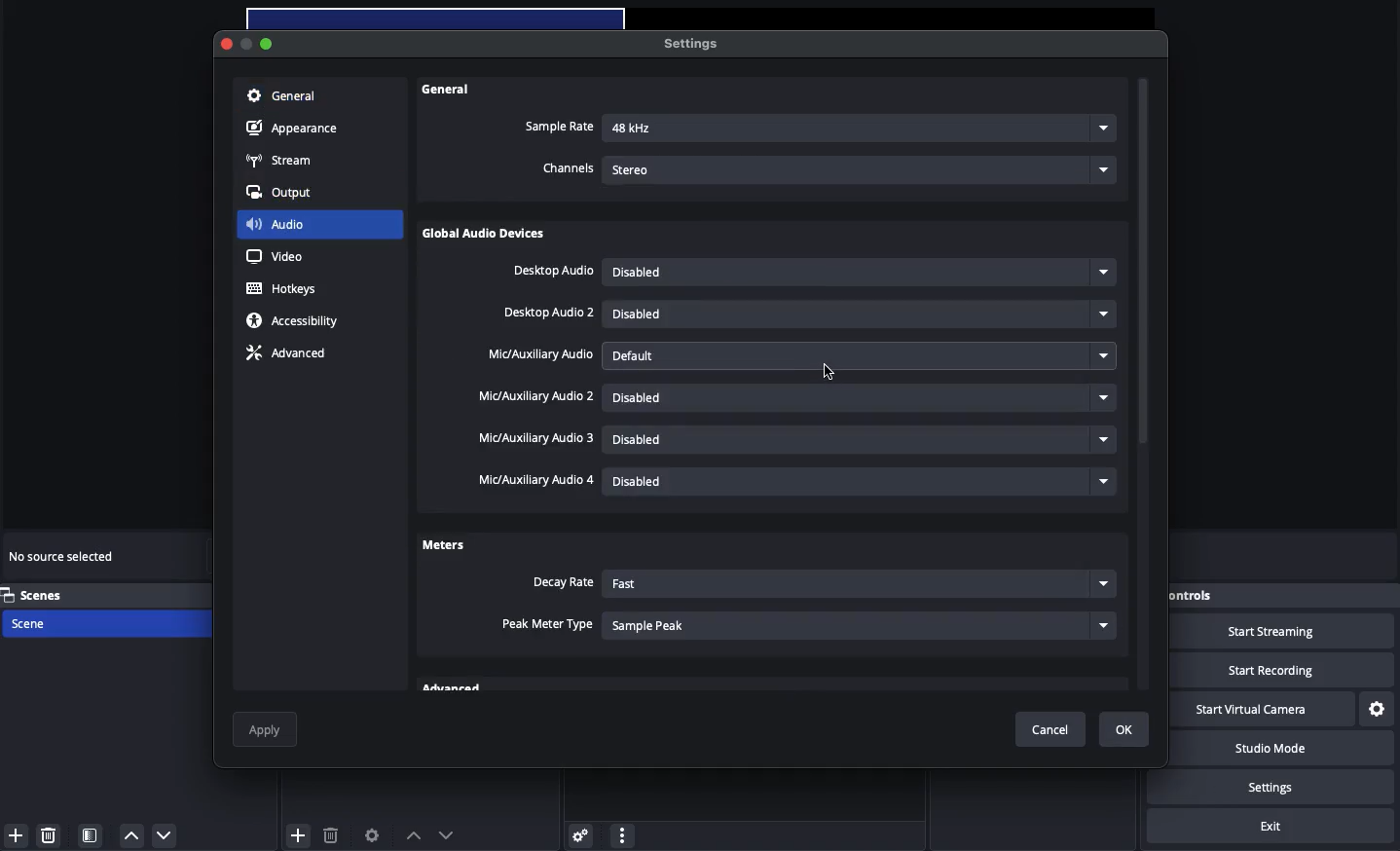  I want to click on Start recording, so click(1285, 670).